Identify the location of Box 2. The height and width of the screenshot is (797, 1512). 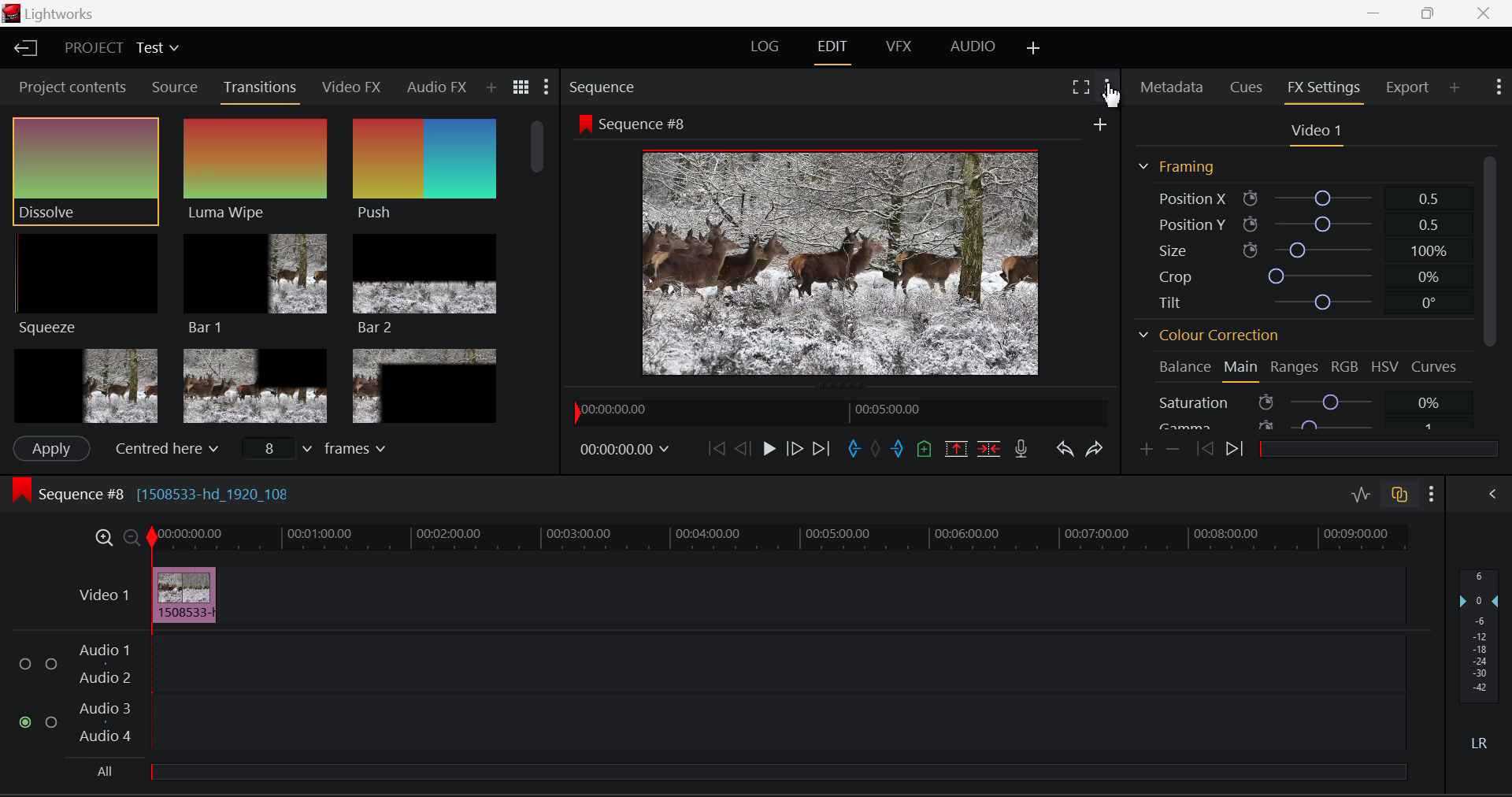
(255, 385).